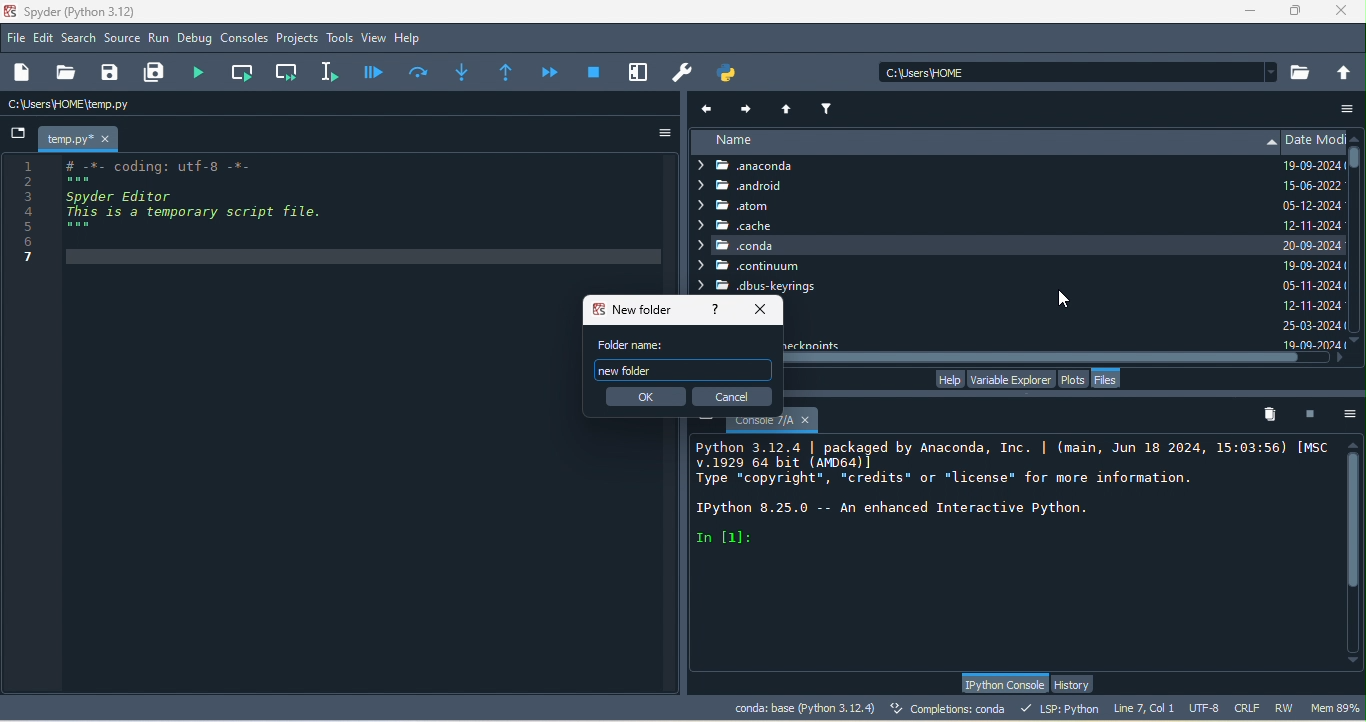 This screenshot has width=1366, height=722. What do you see at coordinates (1345, 71) in the screenshot?
I see `change to parent directory` at bounding box center [1345, 71].